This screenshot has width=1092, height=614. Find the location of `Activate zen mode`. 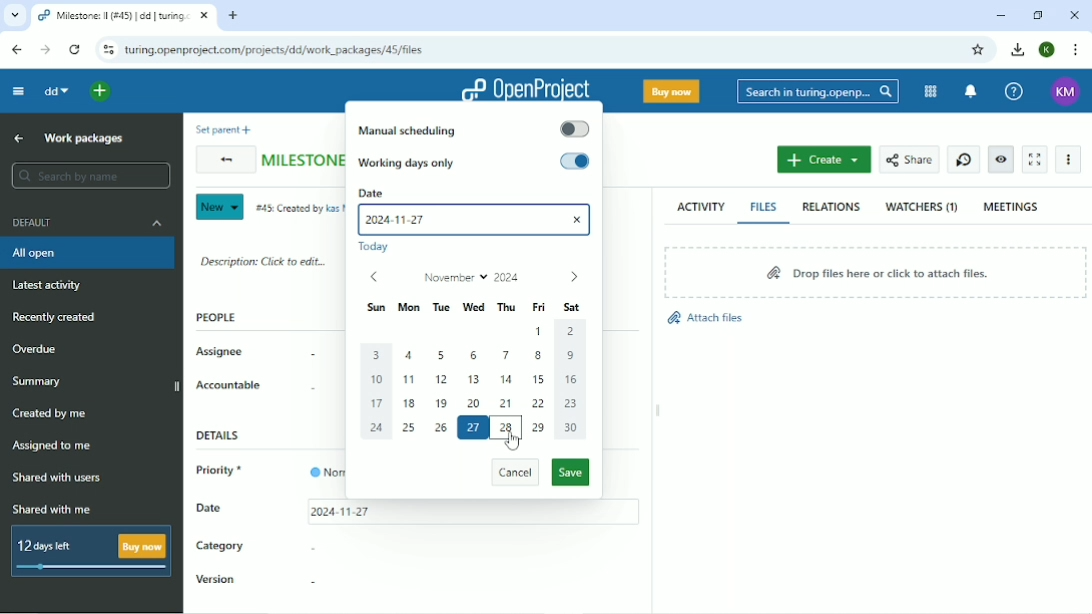

Activate zen mode is located at coordinates (1034, 159).